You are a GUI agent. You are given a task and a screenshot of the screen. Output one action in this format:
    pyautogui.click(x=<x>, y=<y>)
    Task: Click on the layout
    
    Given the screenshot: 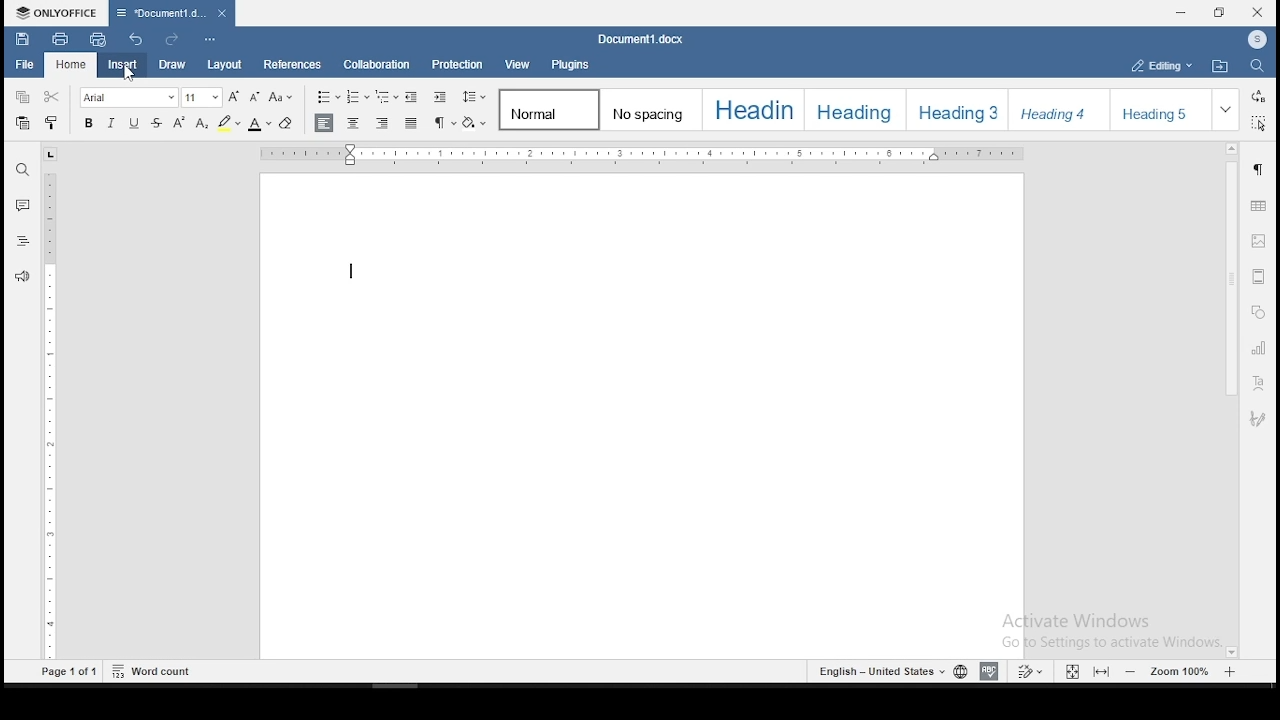 What is the action you would take?
    pyautogui.click(x=223, y=65)
    